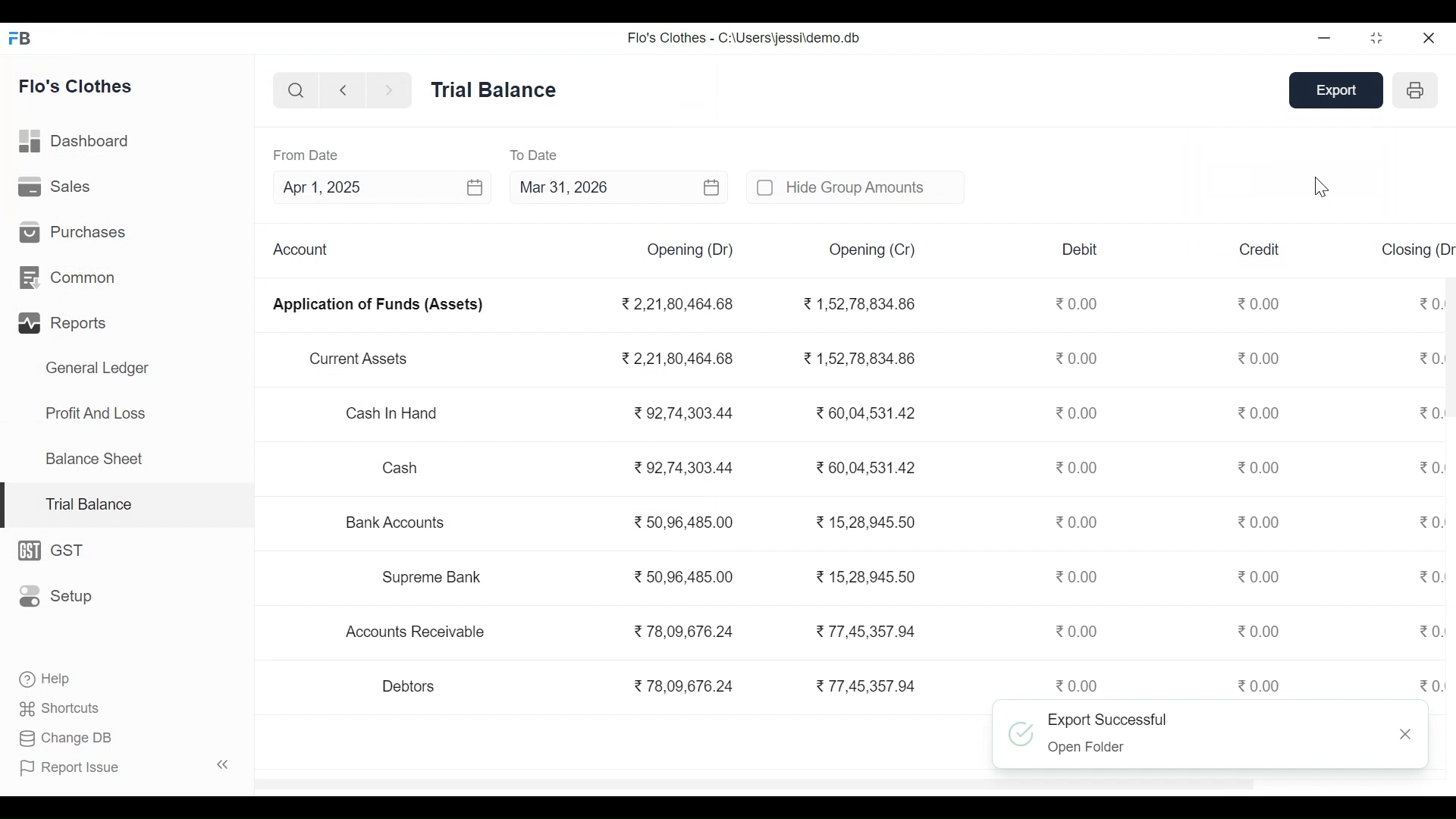  I want to click on 0.00, so click(1430, 415).